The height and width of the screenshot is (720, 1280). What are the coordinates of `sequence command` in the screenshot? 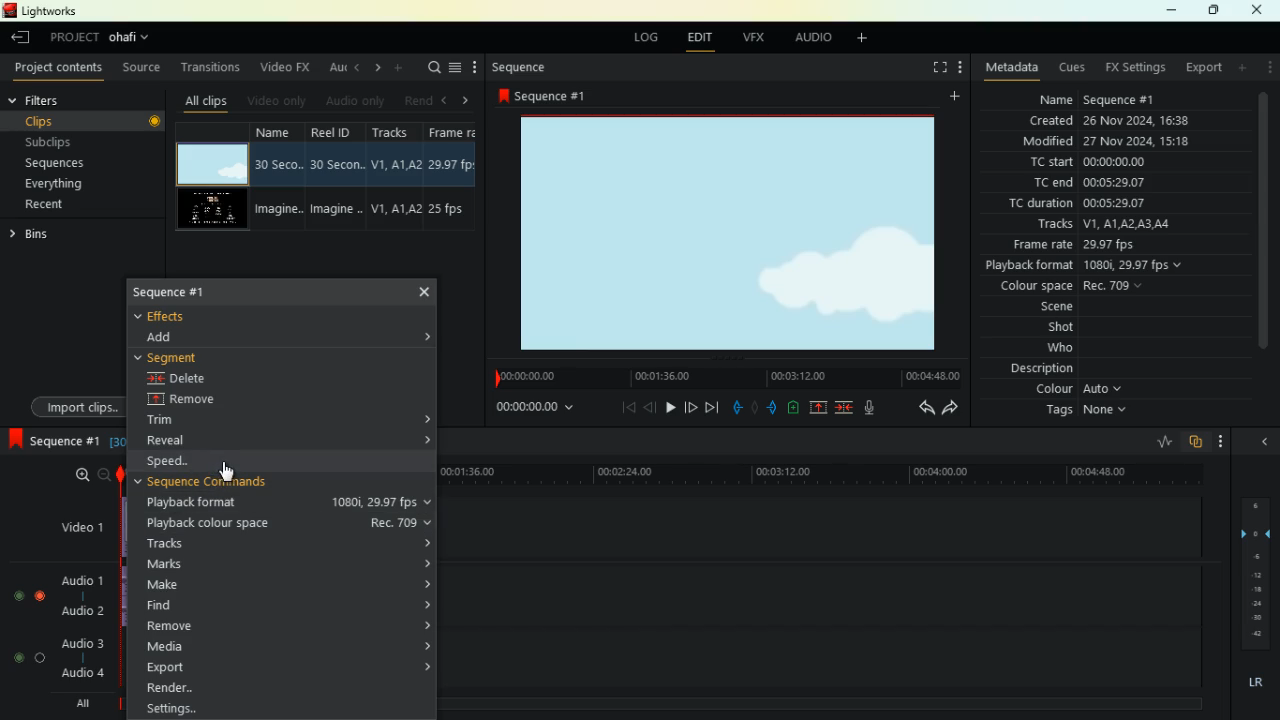 It's located at (220, 483).